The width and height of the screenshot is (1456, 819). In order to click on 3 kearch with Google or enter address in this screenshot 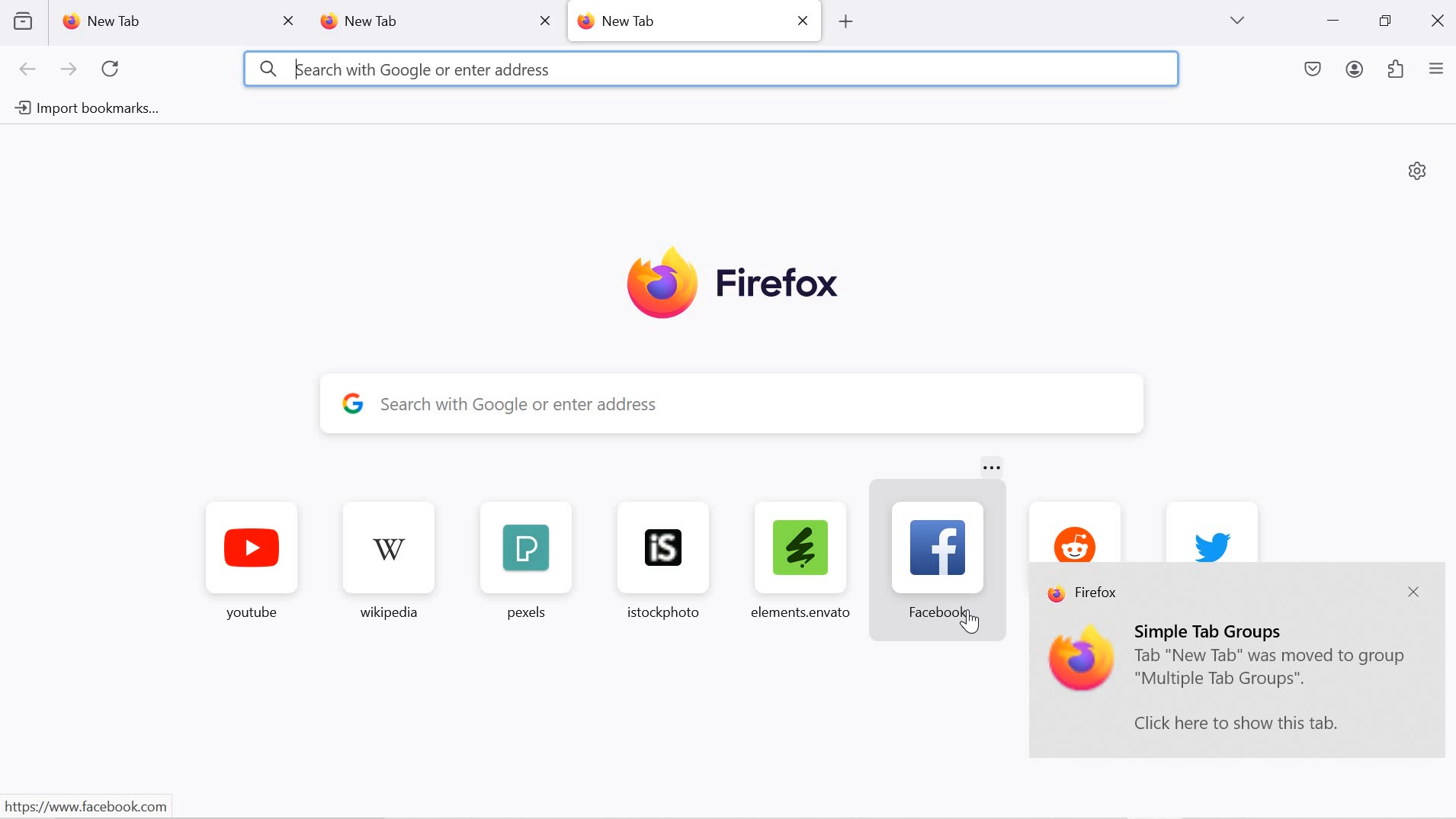, I will do `click(404, 69)`.